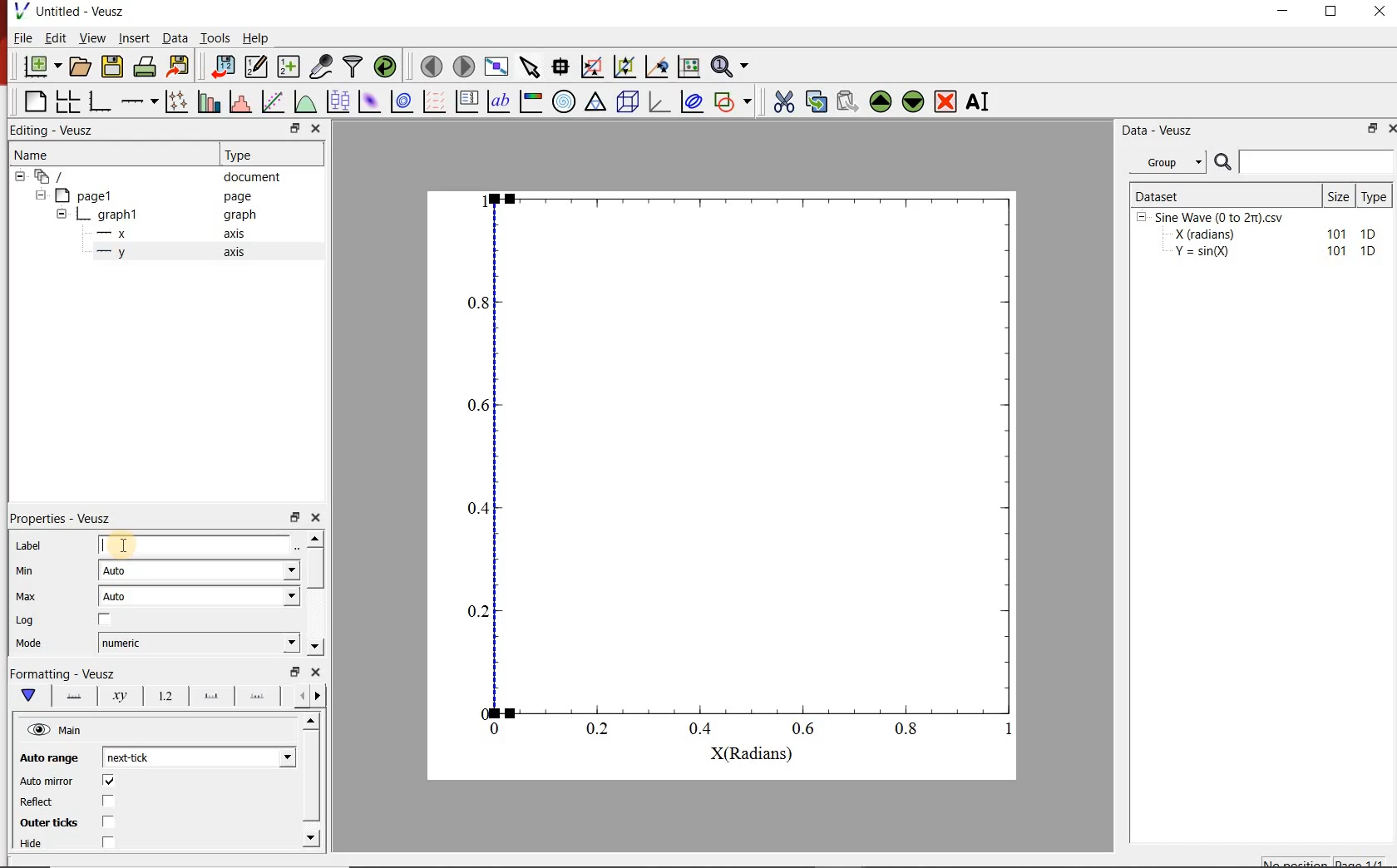 This screenshot has height=868, width=1397. What do you see at coordinates (62, 672) in the screenshot?
I see `Formatting - Veusz` at bounding box center [62, 672].